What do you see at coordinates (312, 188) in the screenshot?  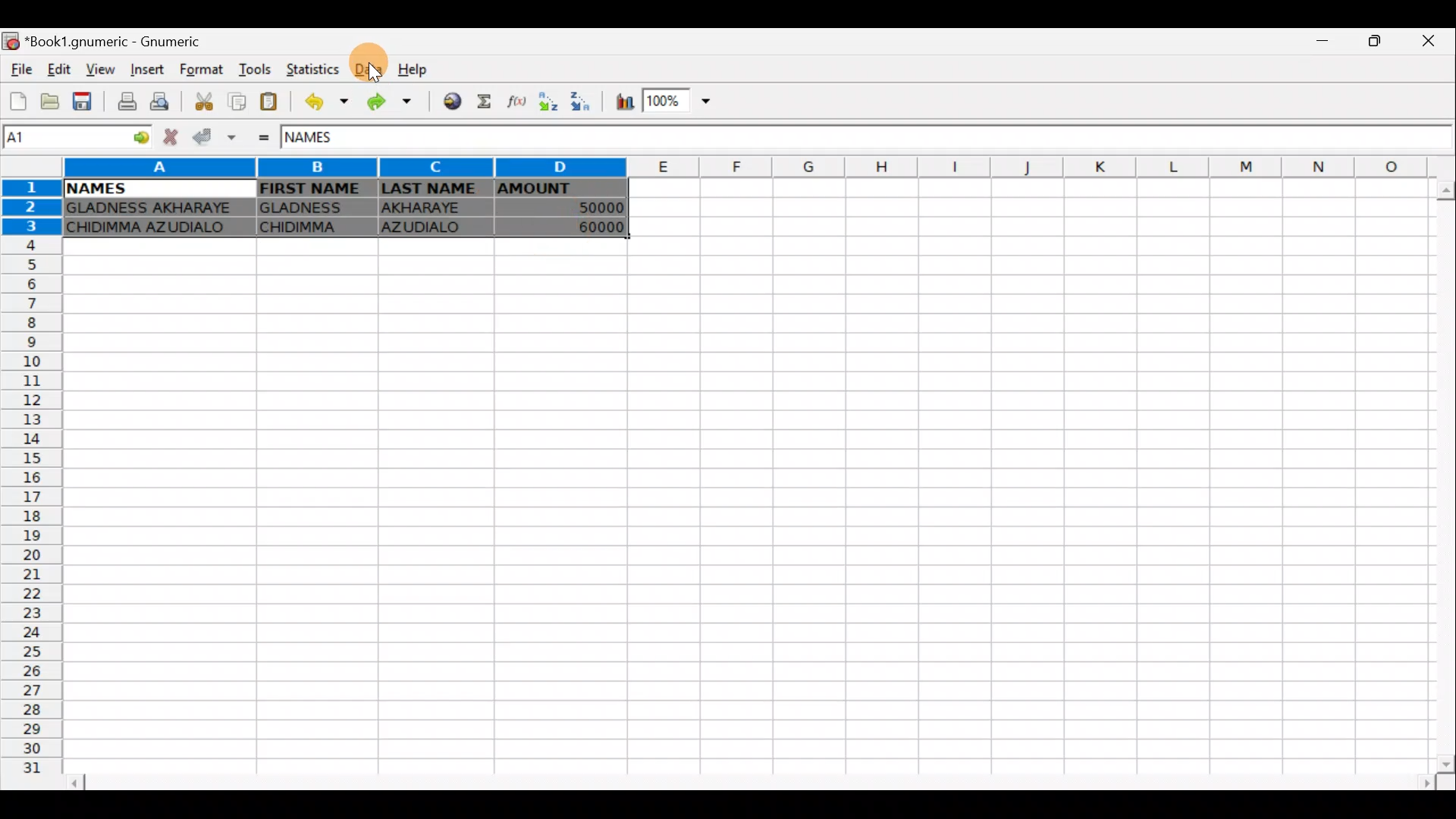 I see `FIRST NAME` at bounding box center [312, 188].